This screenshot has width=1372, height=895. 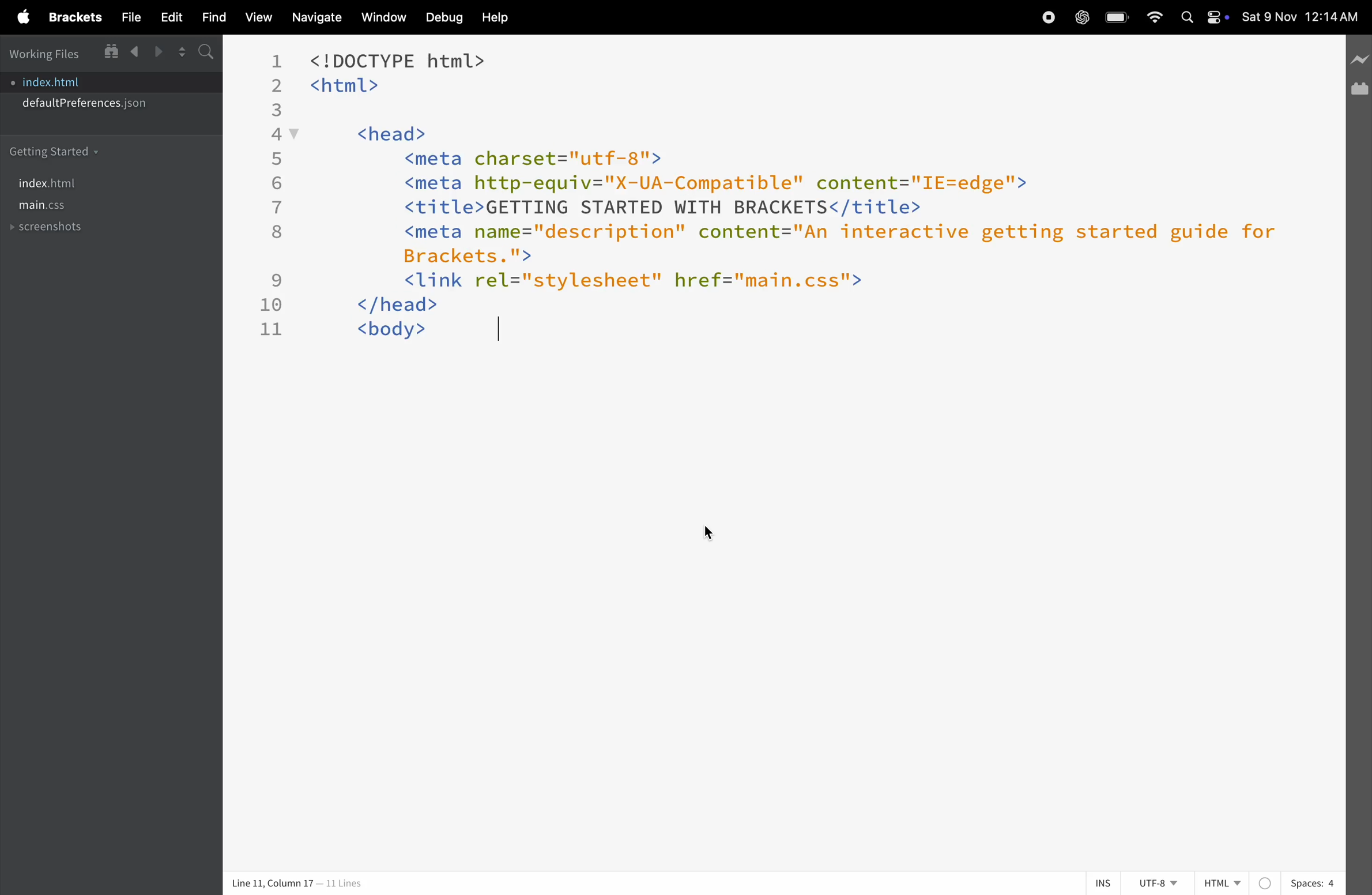 I want to click on working files, so click(x=47, y=54).